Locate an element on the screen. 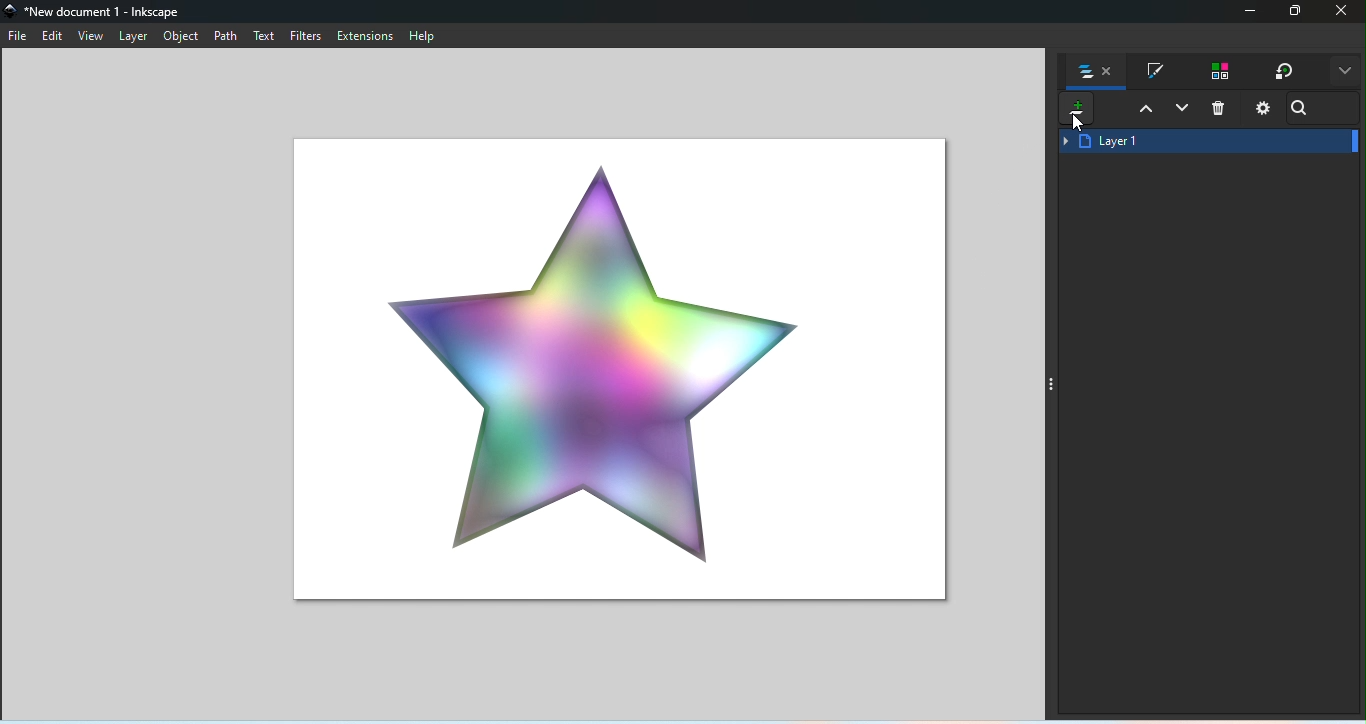 The height and width of the screenshot is (724, 1366). Swatches is located at coordinates (1217, 72).